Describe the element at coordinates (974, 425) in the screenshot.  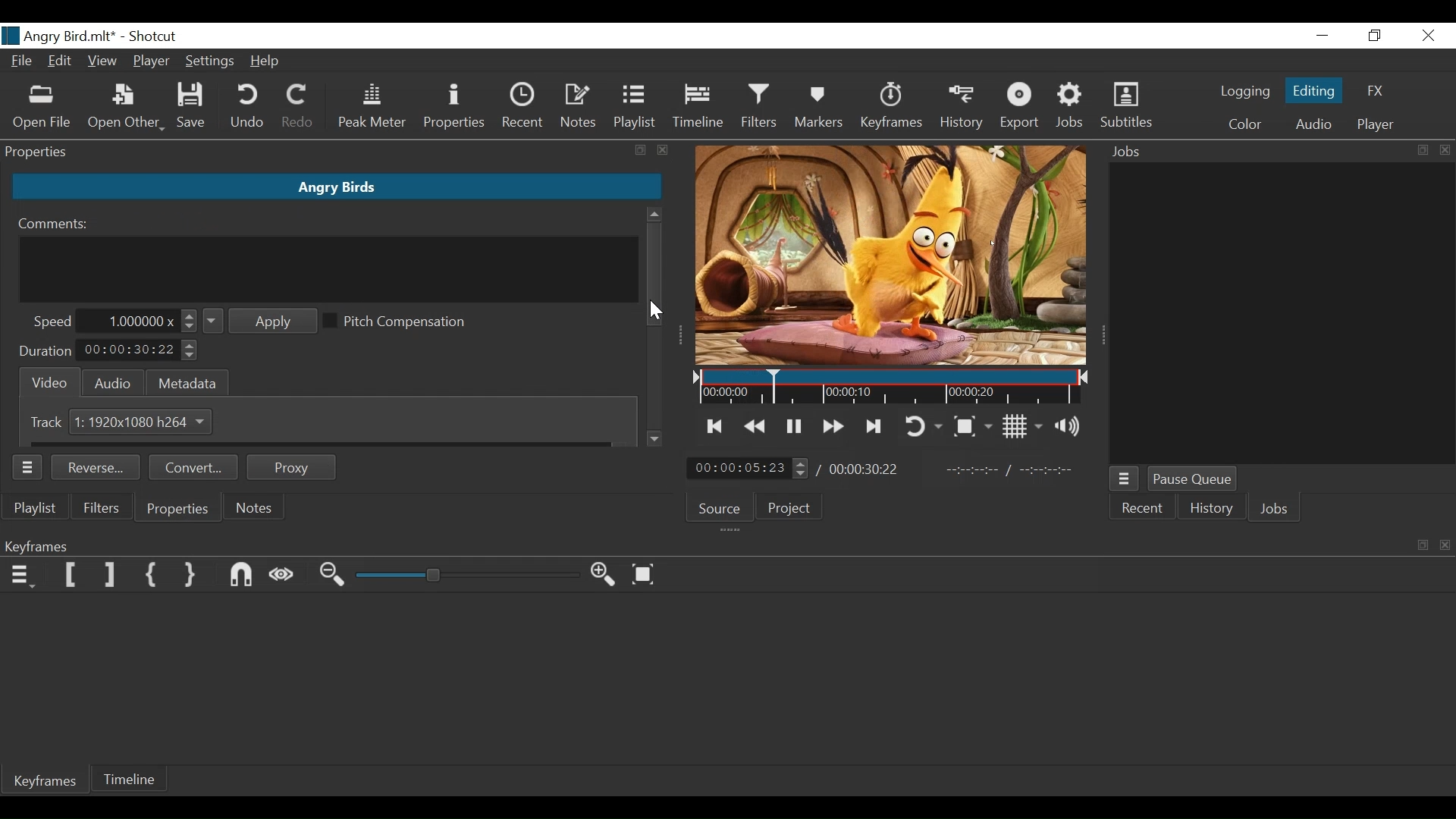
I see `Toggle zoom` at that location.